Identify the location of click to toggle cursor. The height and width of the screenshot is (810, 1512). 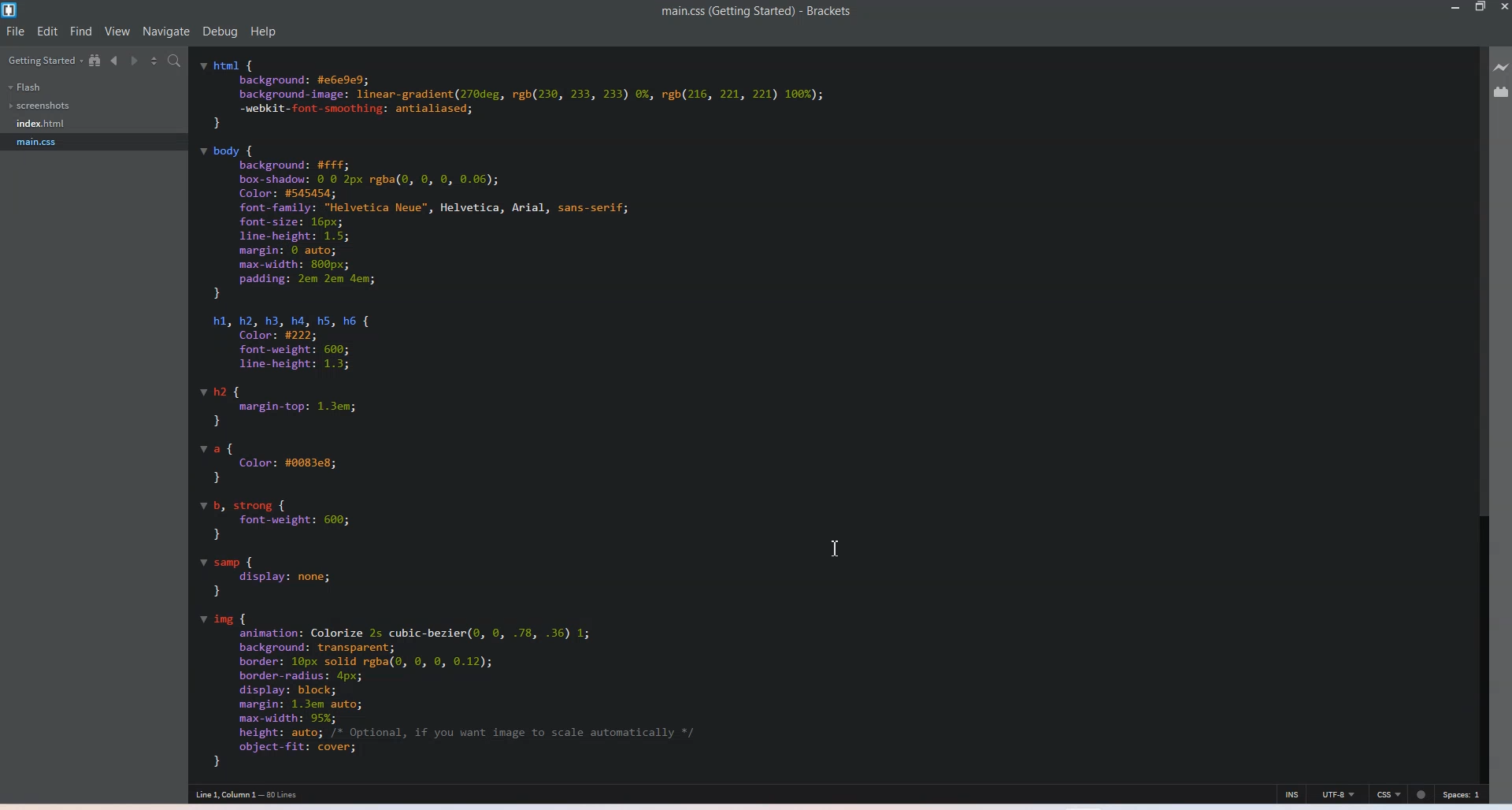
(1291, 794).